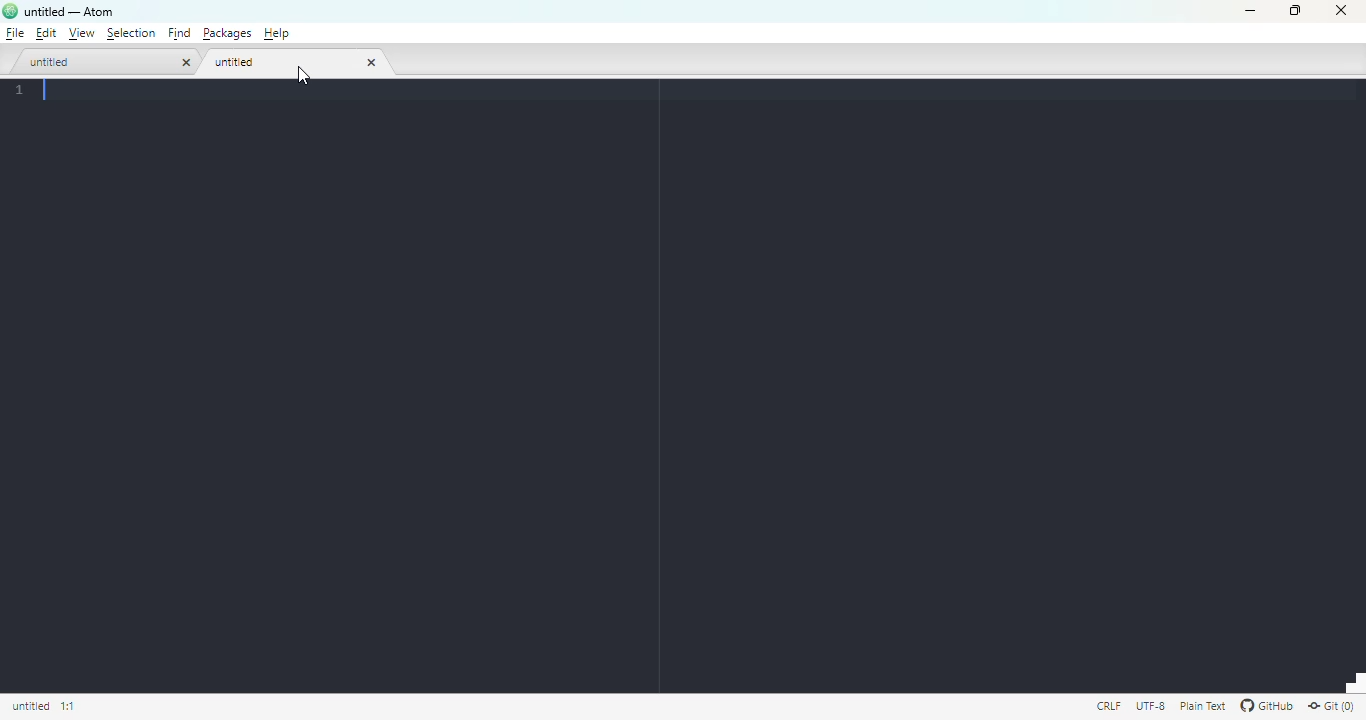  What do you see at coordinates (1249, 10) in the screenshot?
I see `minimize` at bounding box center [1249, 10].